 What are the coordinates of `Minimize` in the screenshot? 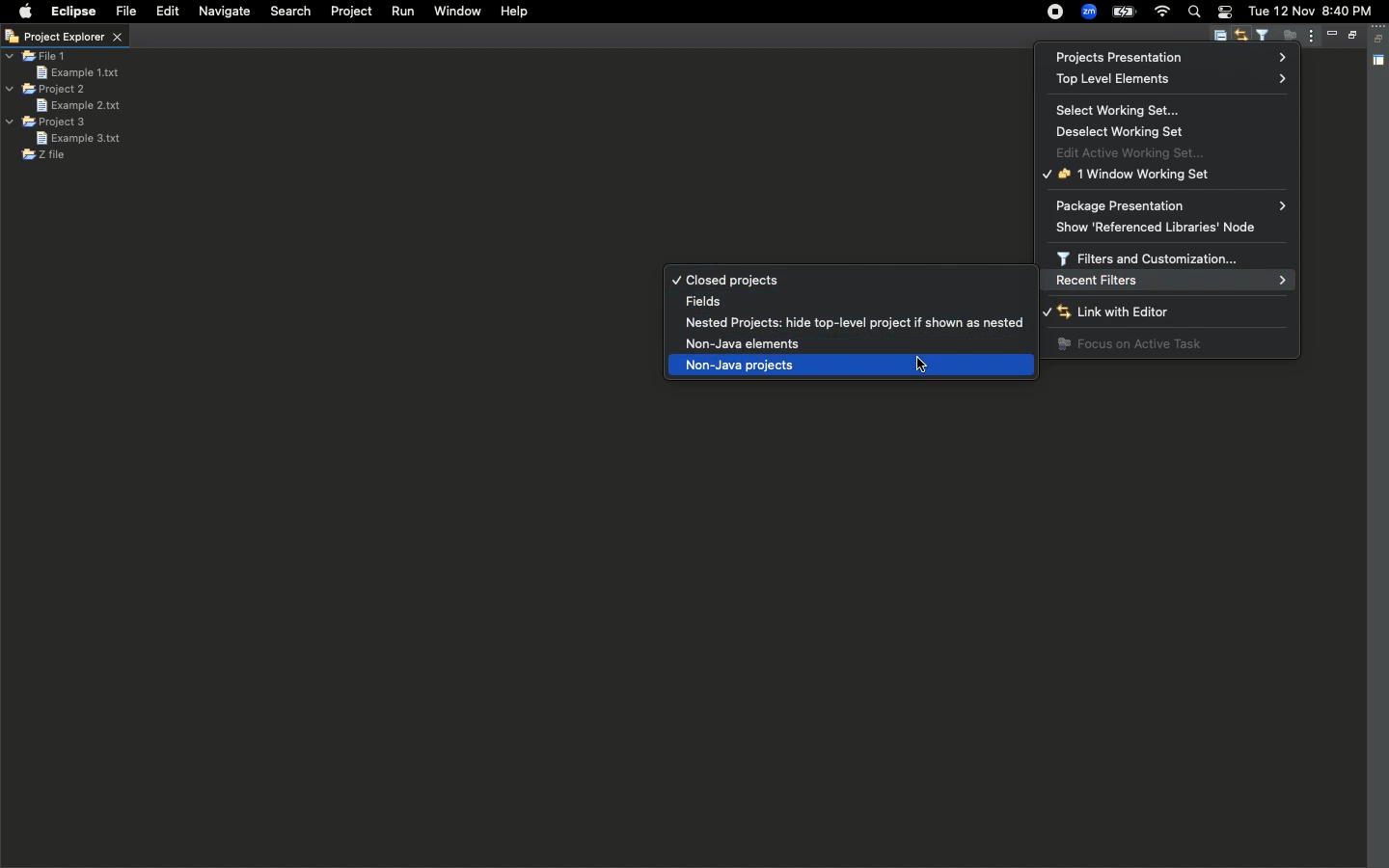 It's located at (1331, 34).